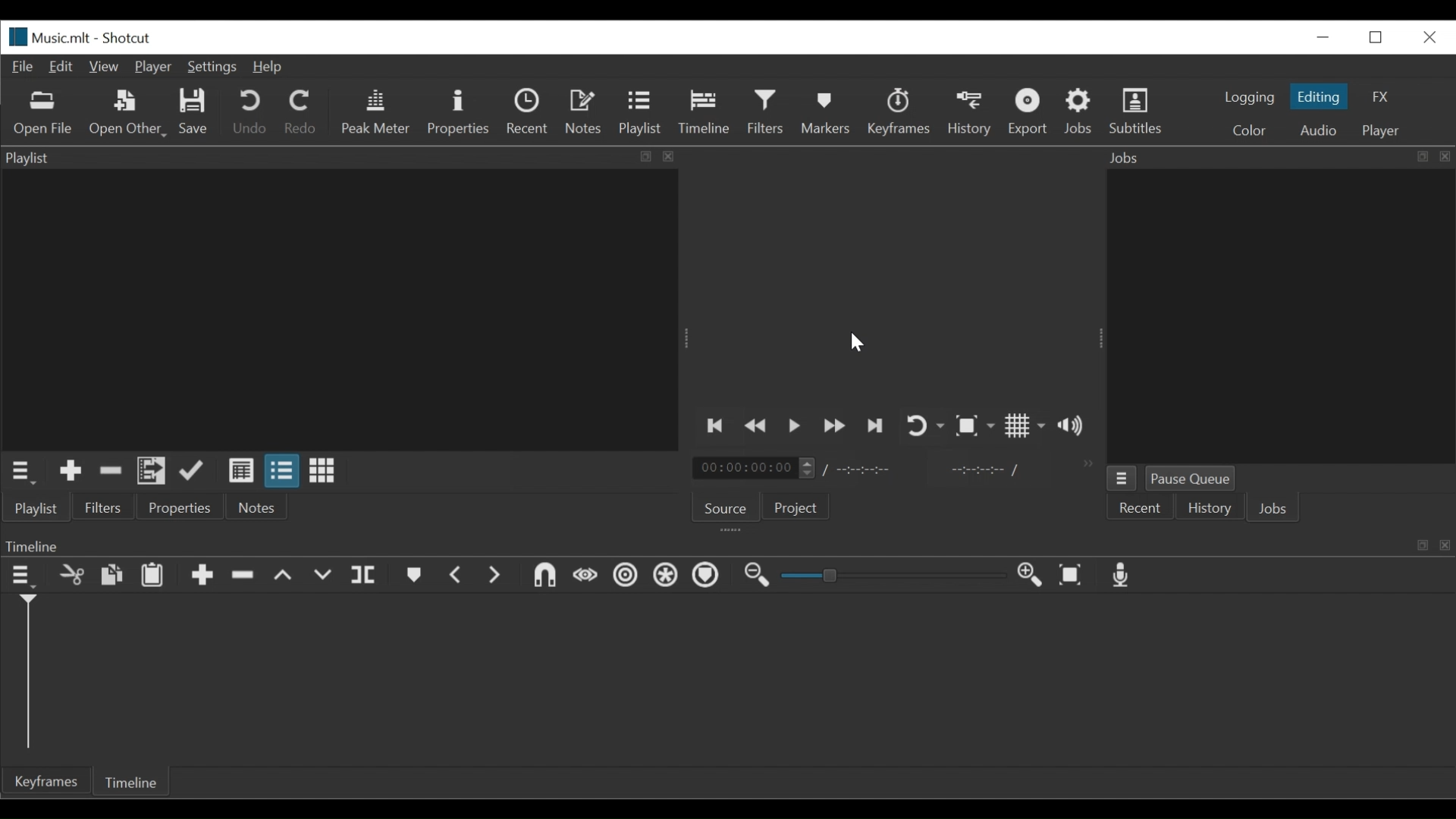 Image resolution: width=1456 pixels, height=819 pixels. What do you see at coordinates (240, 472) in the screenshot?
I see `View as detail` at bounding box center [240, 472].